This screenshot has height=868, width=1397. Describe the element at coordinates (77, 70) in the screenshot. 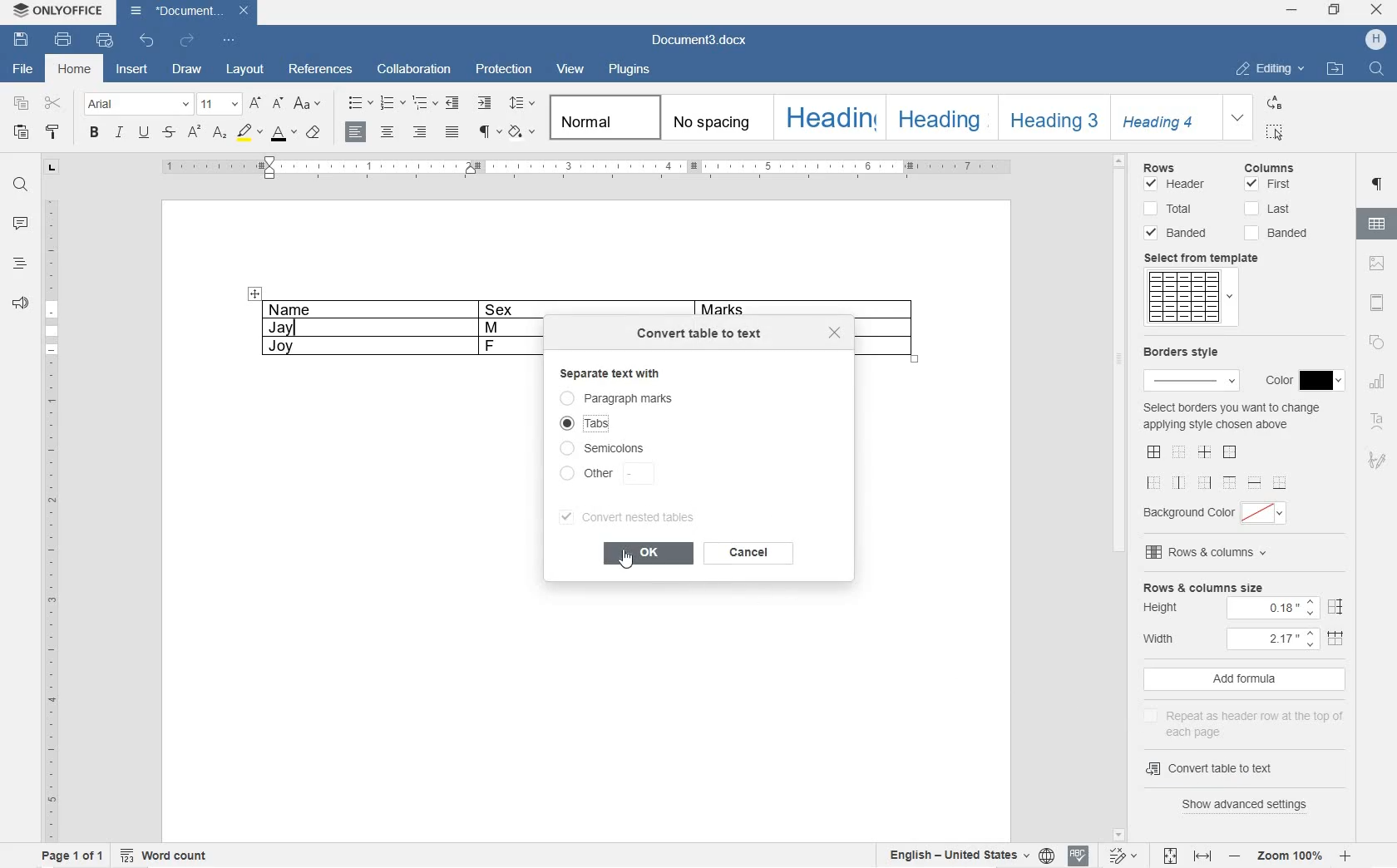

I see `HOME` at that location.